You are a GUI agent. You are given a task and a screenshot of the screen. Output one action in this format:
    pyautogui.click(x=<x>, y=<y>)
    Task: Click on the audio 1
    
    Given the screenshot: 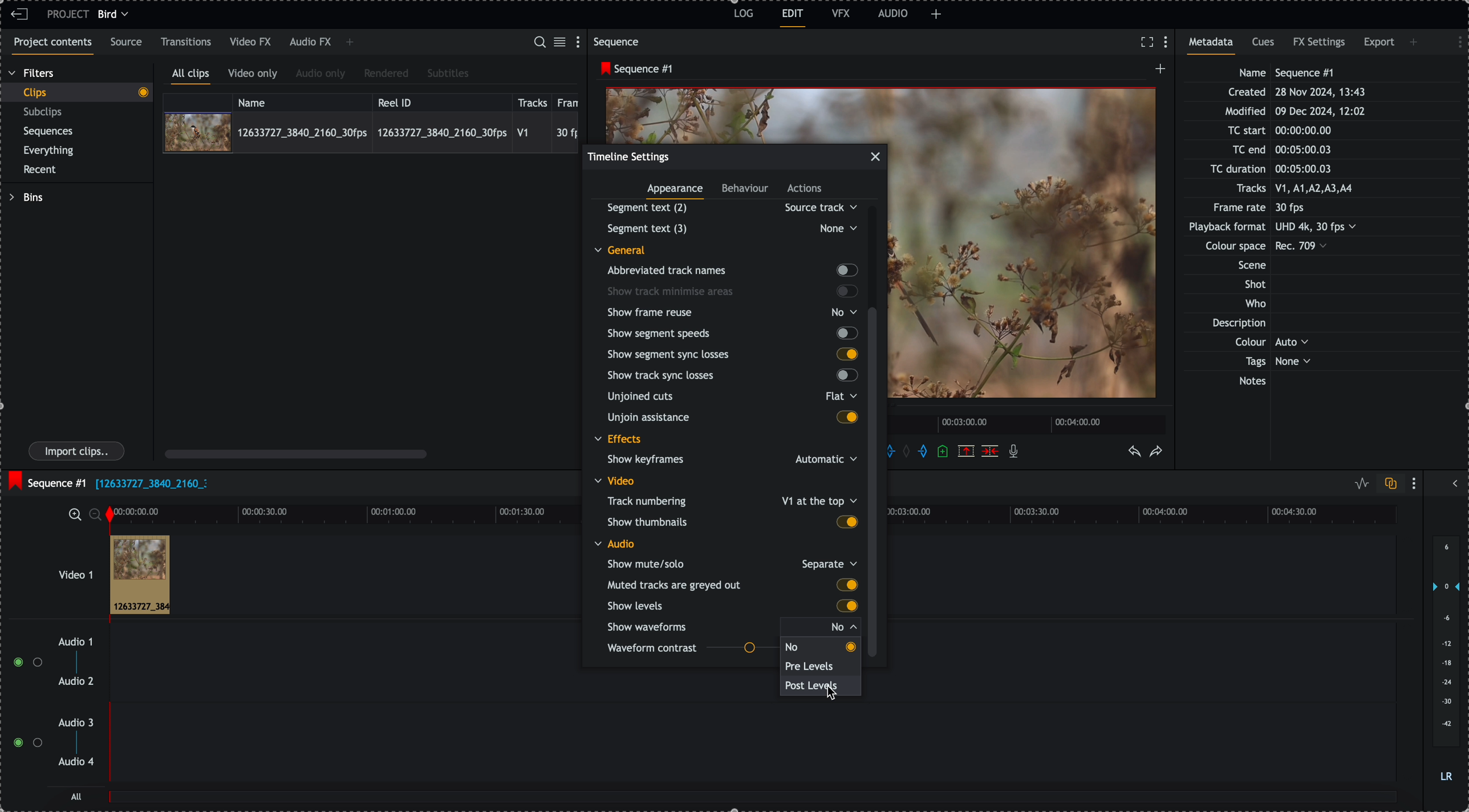 What is the action you would take?
    pyautogui.click(x=71, y=643)
    